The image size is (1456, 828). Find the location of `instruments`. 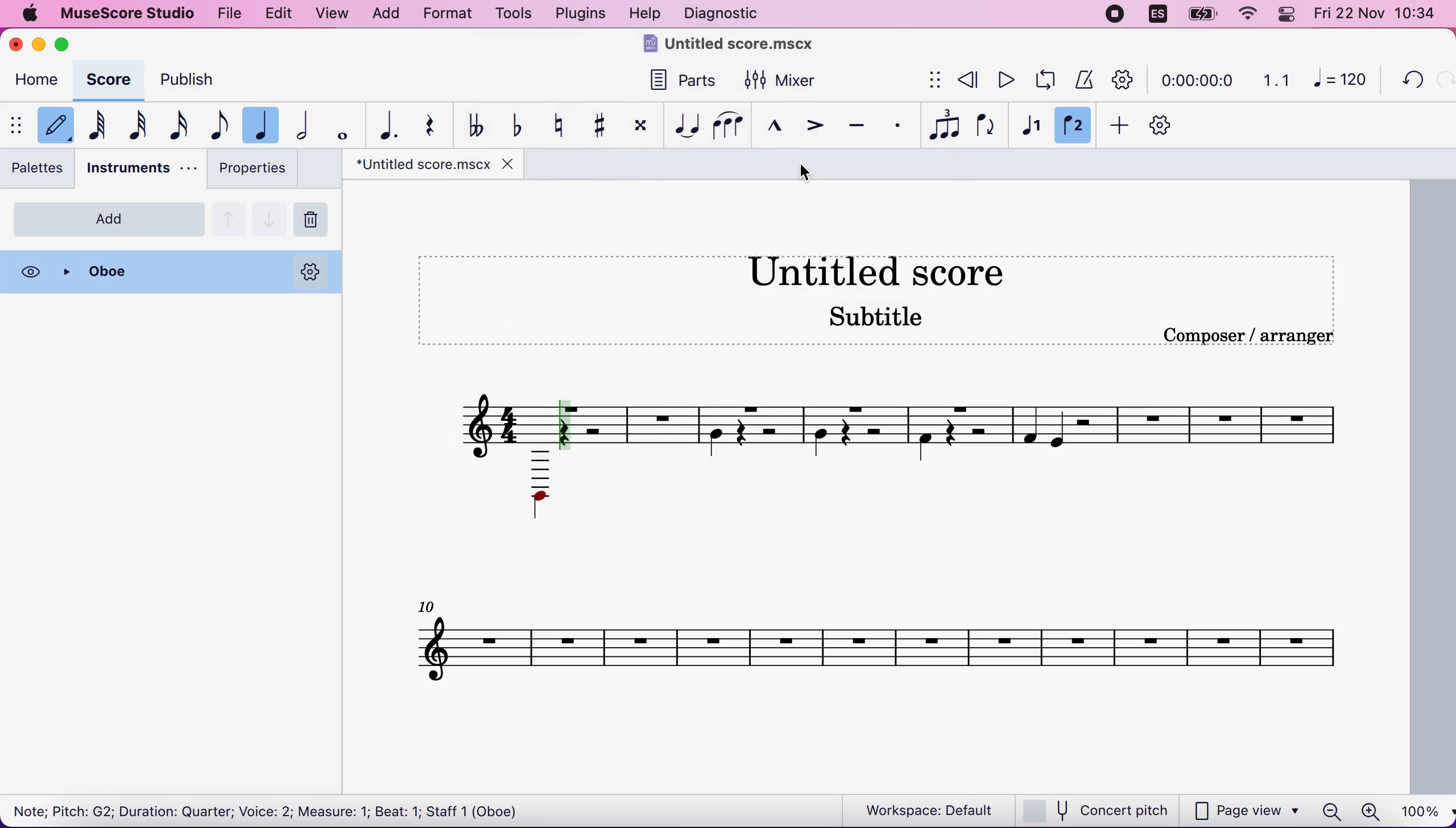

instruments is located at coordinates (141, 168).